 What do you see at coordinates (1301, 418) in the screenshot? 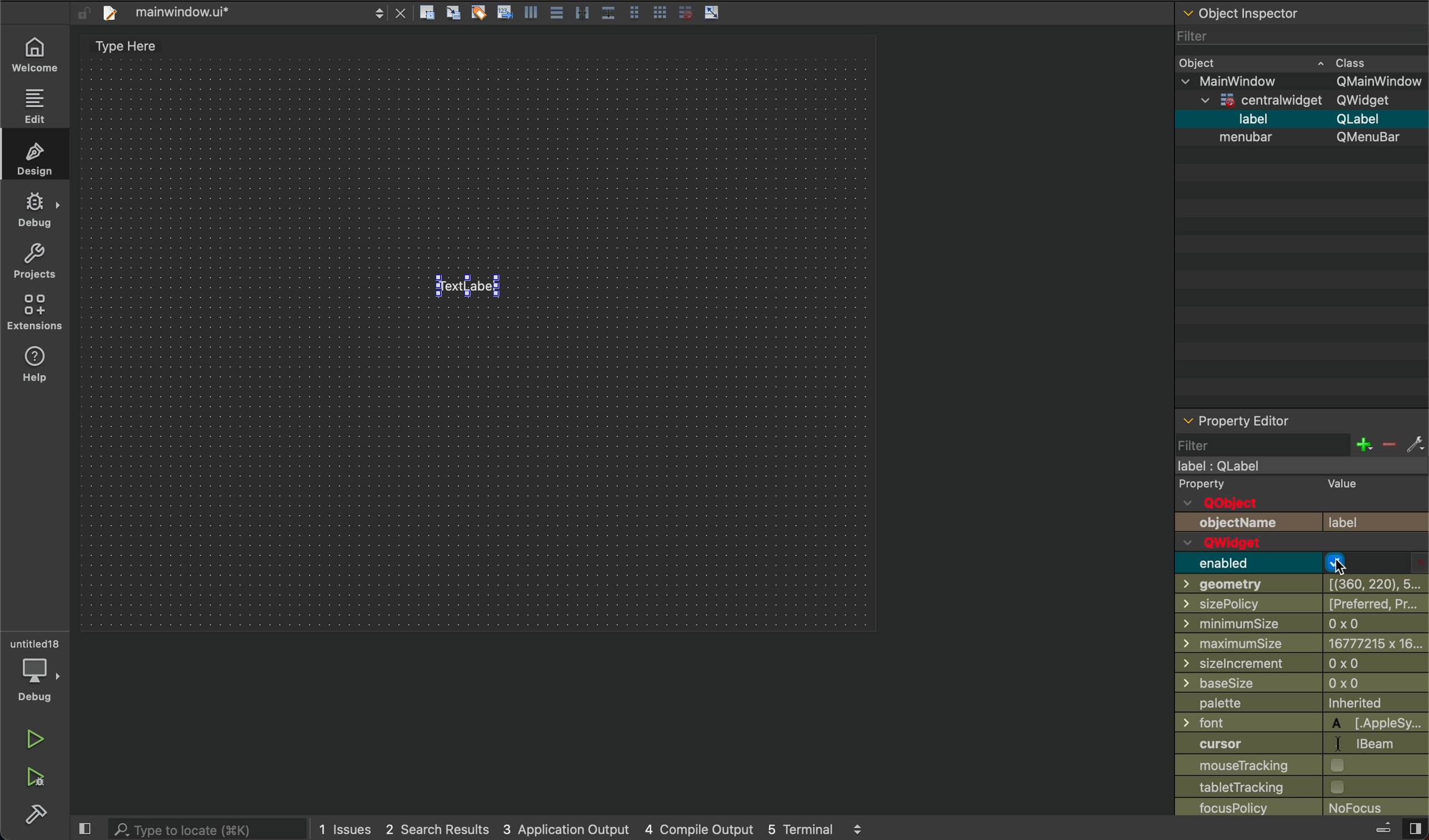
I see `property editor` at bounding box center [1301, 418].